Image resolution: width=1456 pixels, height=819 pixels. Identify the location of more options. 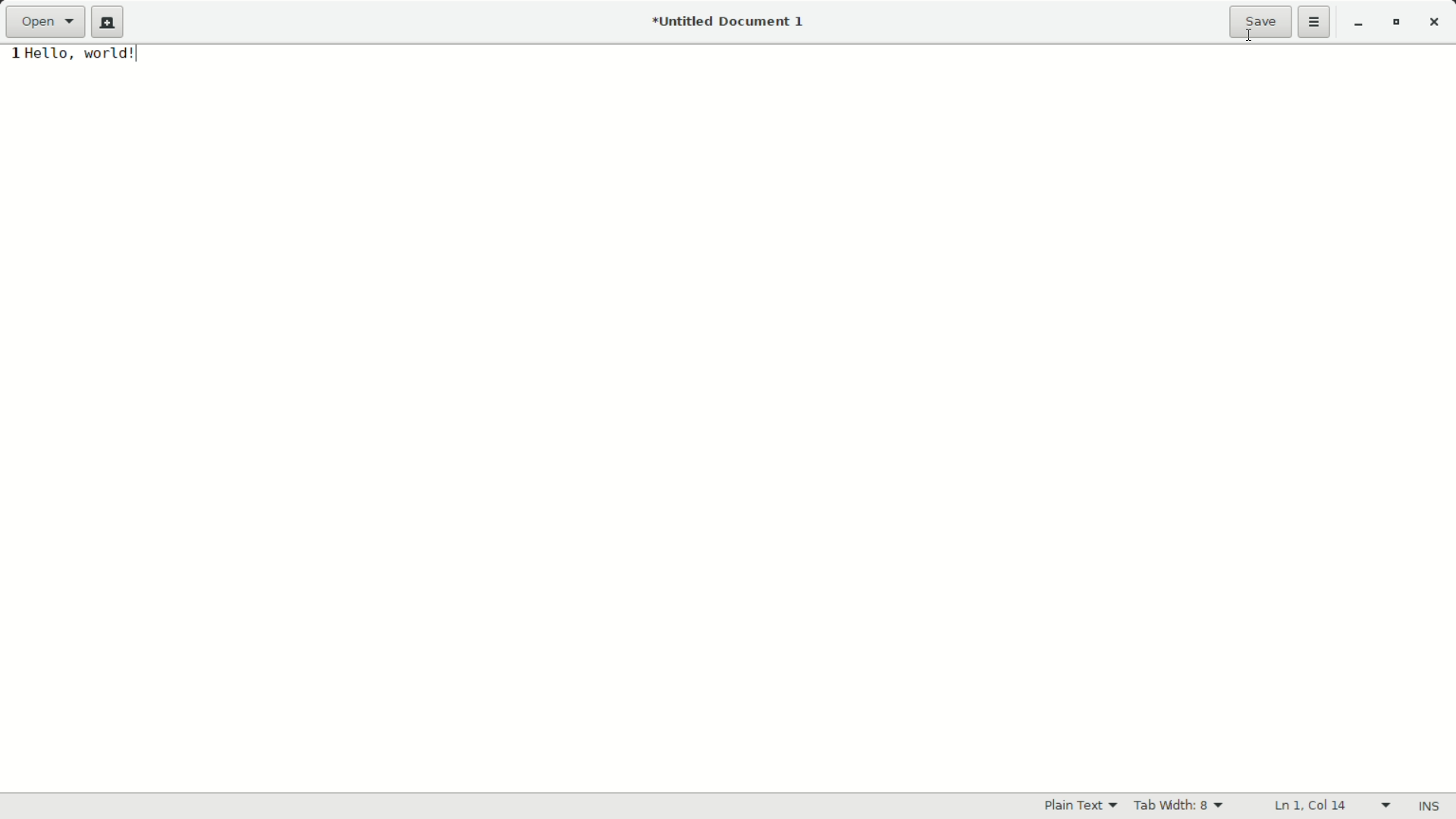
(1314, 22).